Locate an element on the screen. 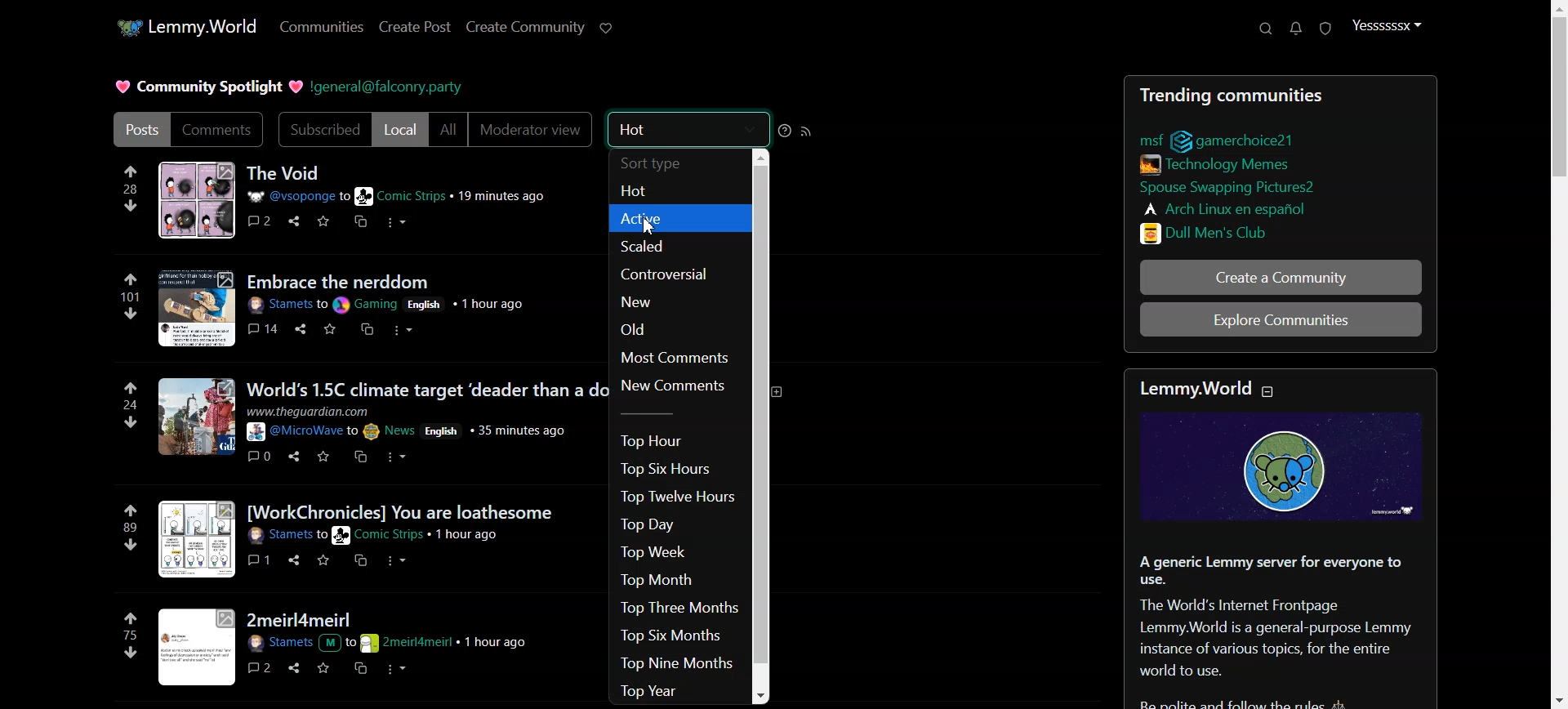 This screenshot has width=1568, height=709. downvote is located at coordinates (132, 545).